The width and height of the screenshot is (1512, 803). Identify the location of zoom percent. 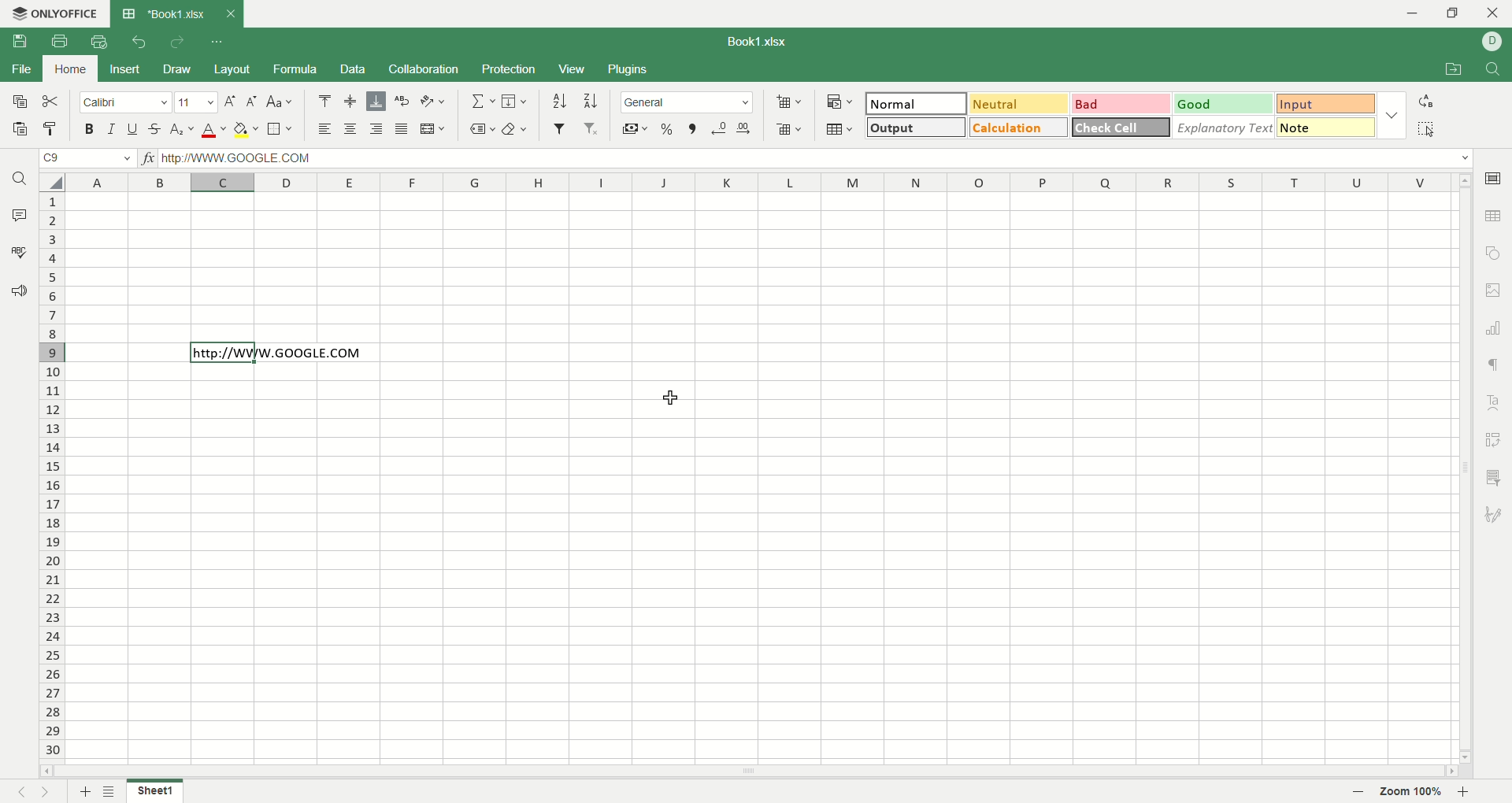
(1414, 791).